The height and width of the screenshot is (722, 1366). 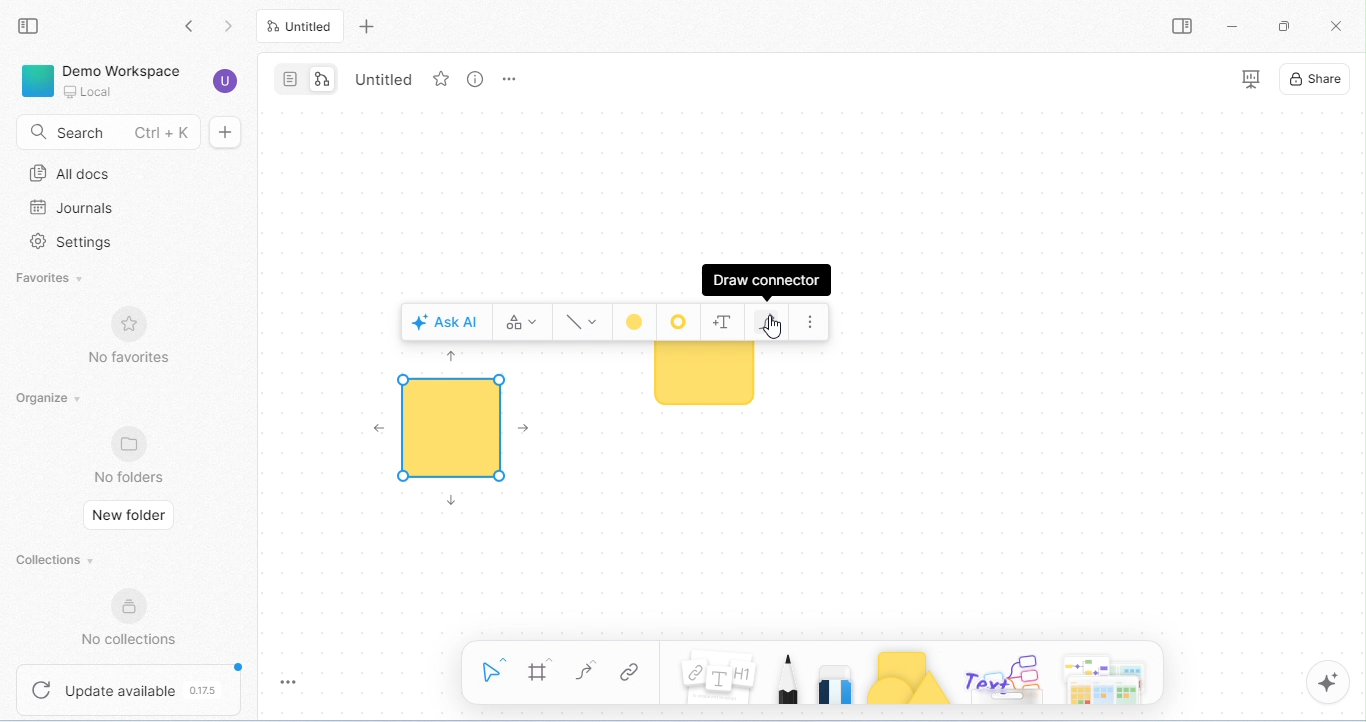 What do you see at coordinates (508, 78) in the screenshot?
I see `rename and more` at bounding box center [508, 78].